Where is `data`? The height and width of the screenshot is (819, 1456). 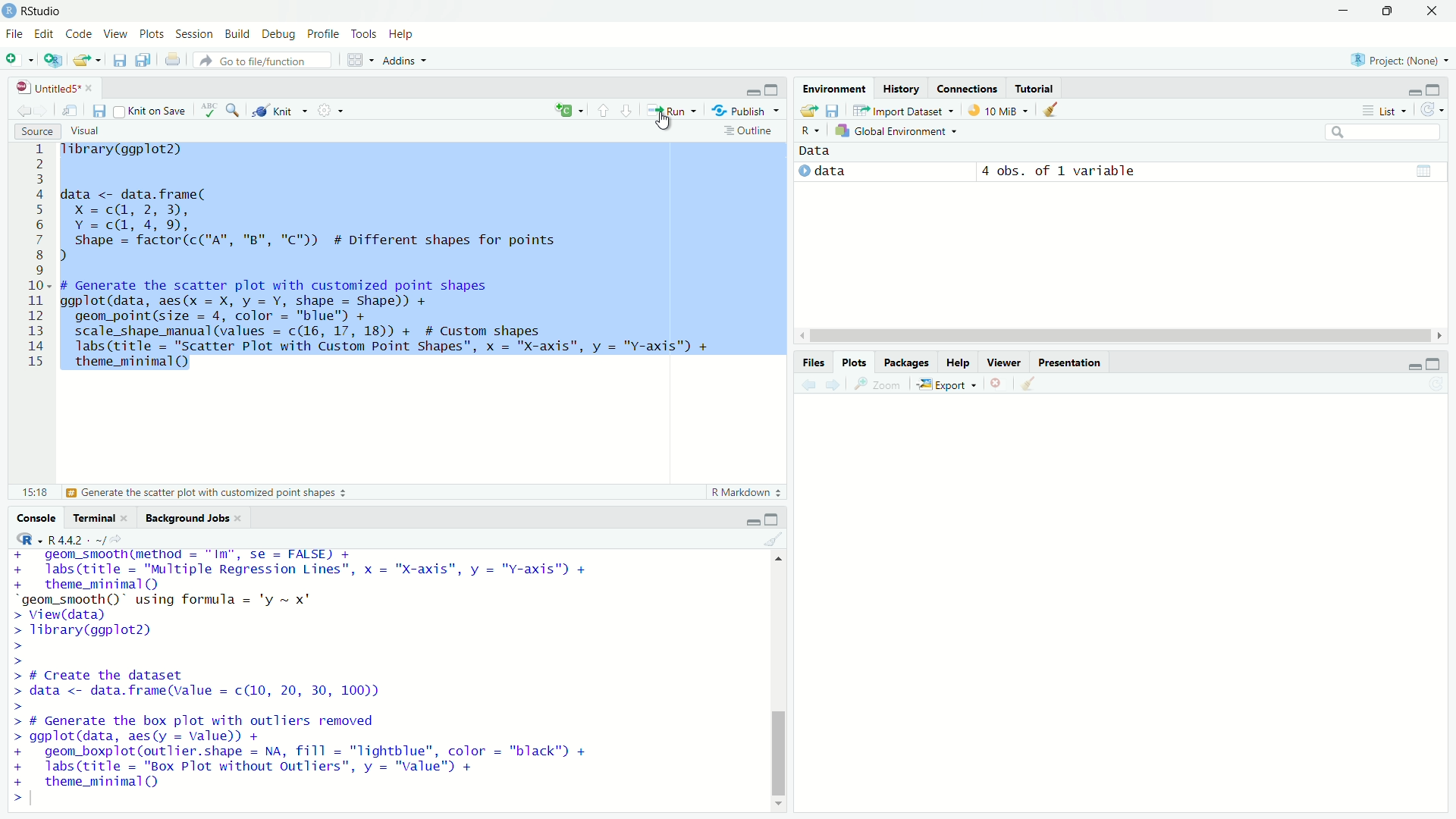
data is located at coordinates (830, 171).